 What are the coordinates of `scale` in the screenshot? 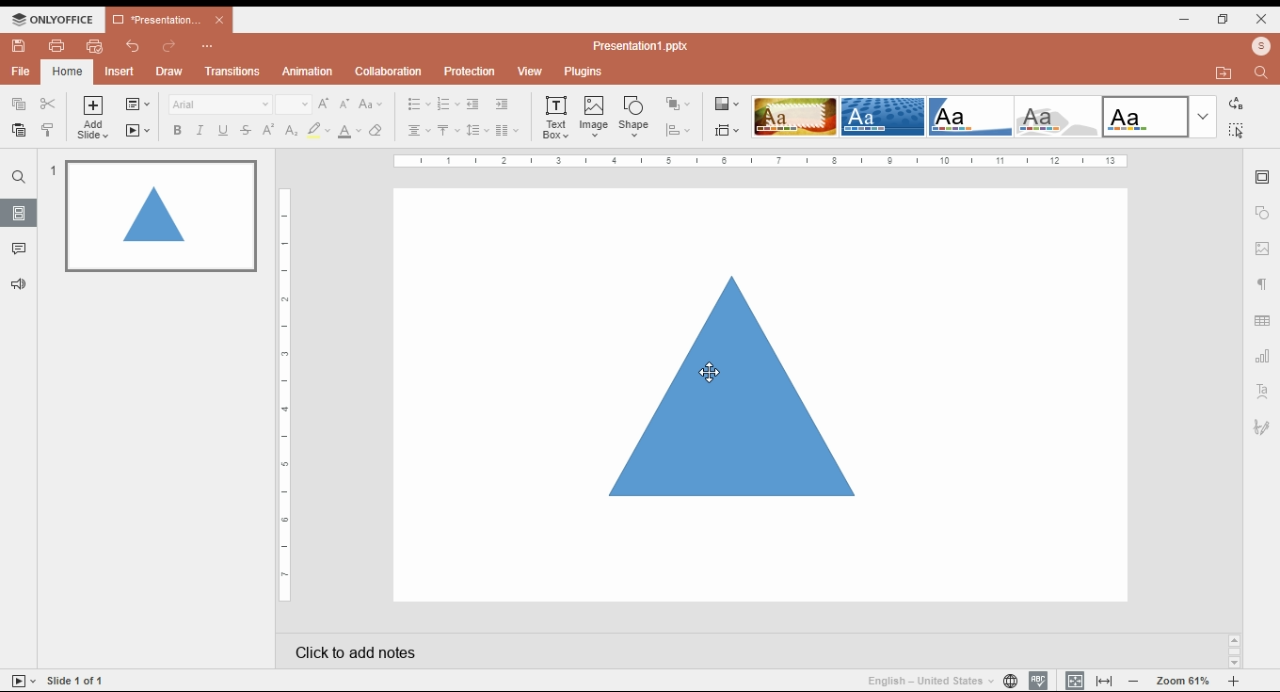 It's located at (759, 161).